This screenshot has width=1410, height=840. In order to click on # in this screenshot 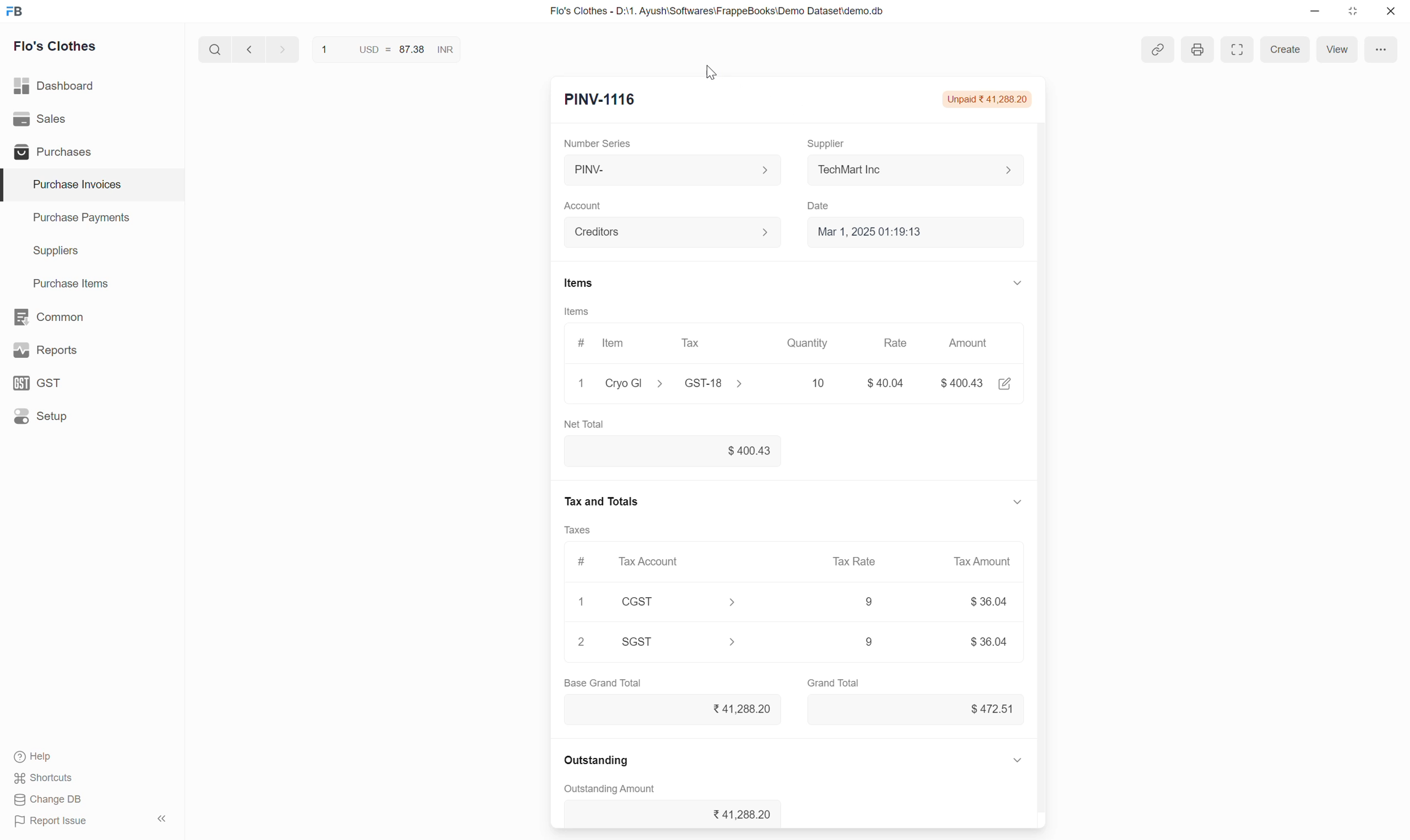, I will do `click(580, 340)`.